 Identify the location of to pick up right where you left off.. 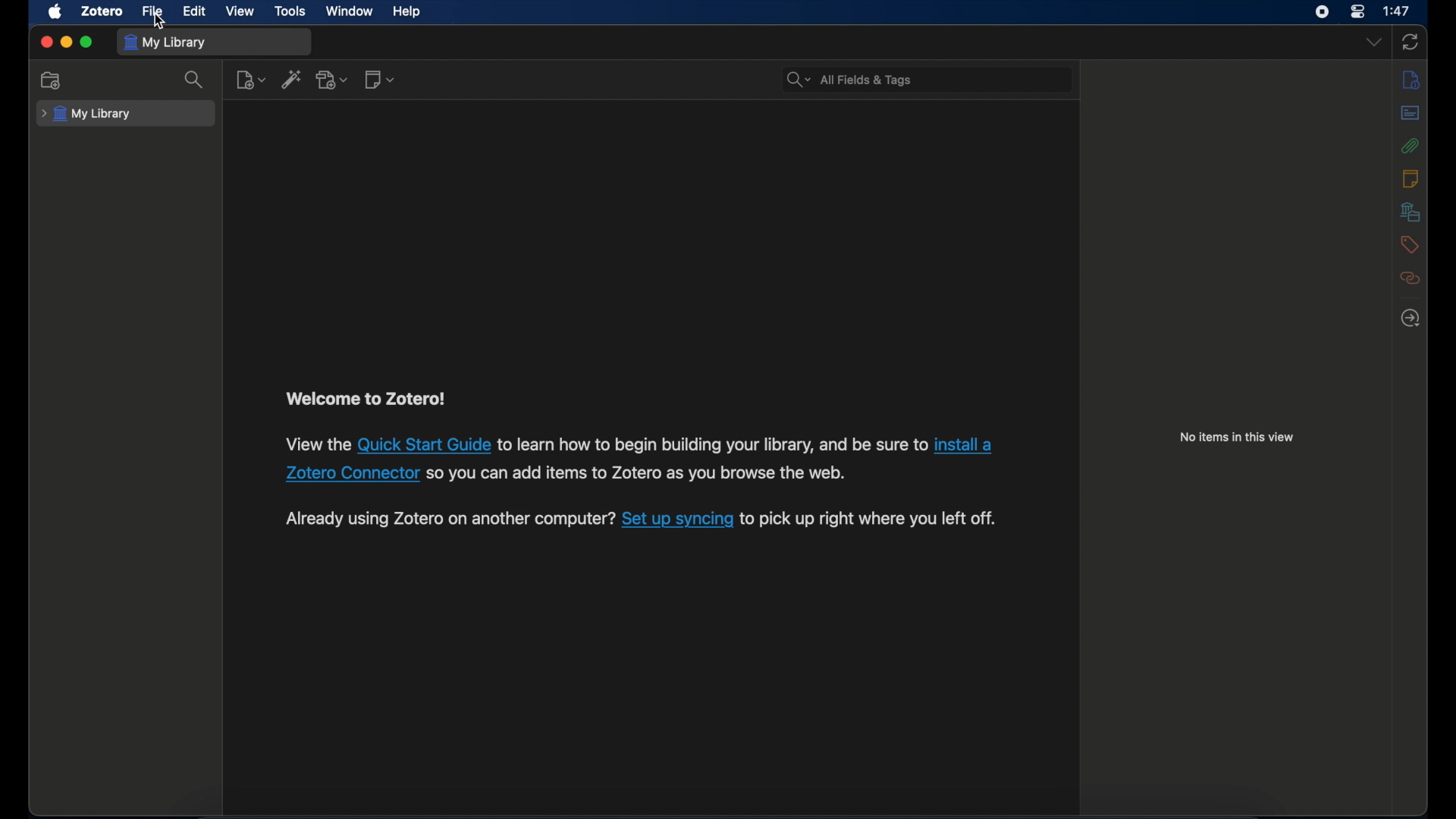
(869, 519).